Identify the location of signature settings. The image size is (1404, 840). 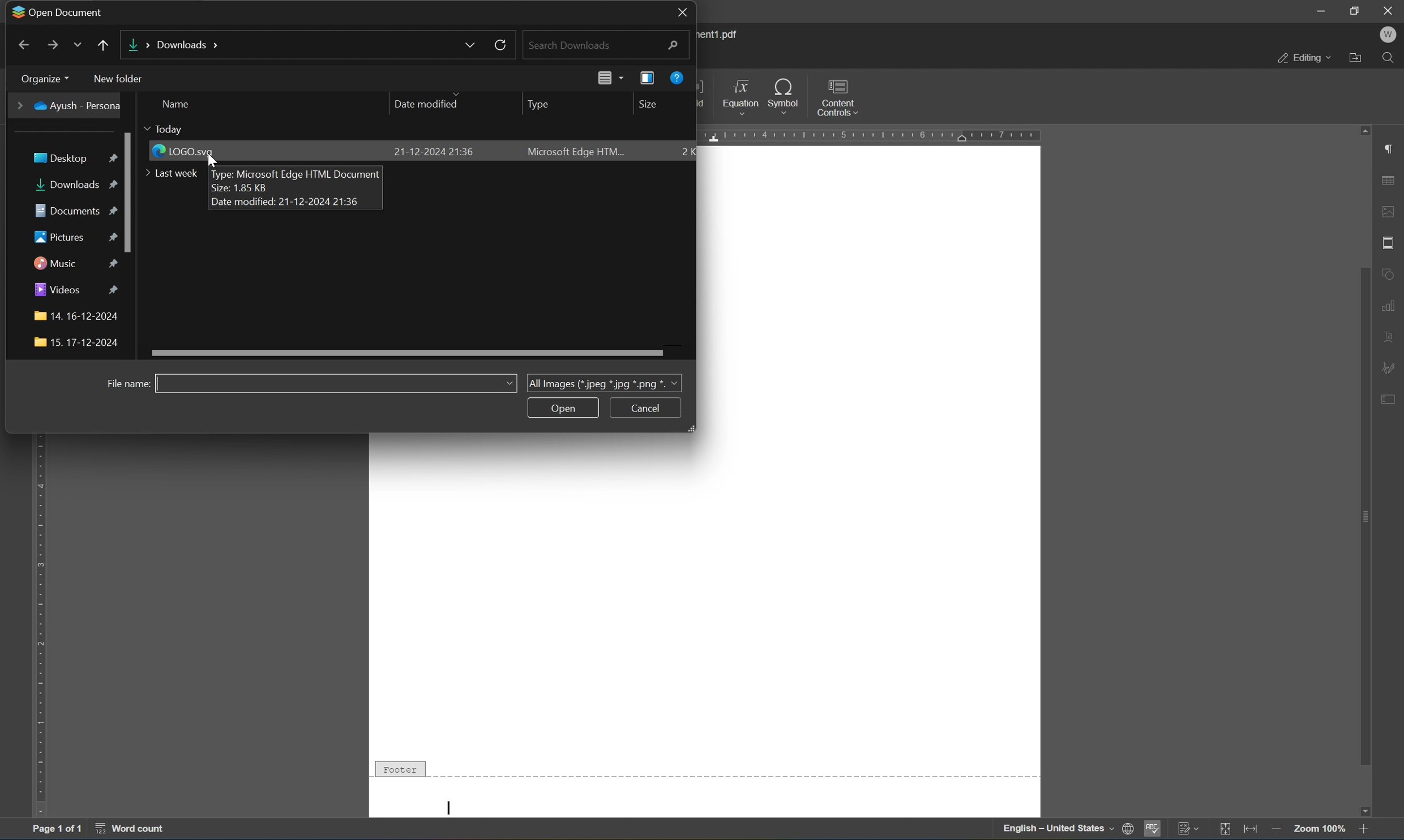
(1391, 367).